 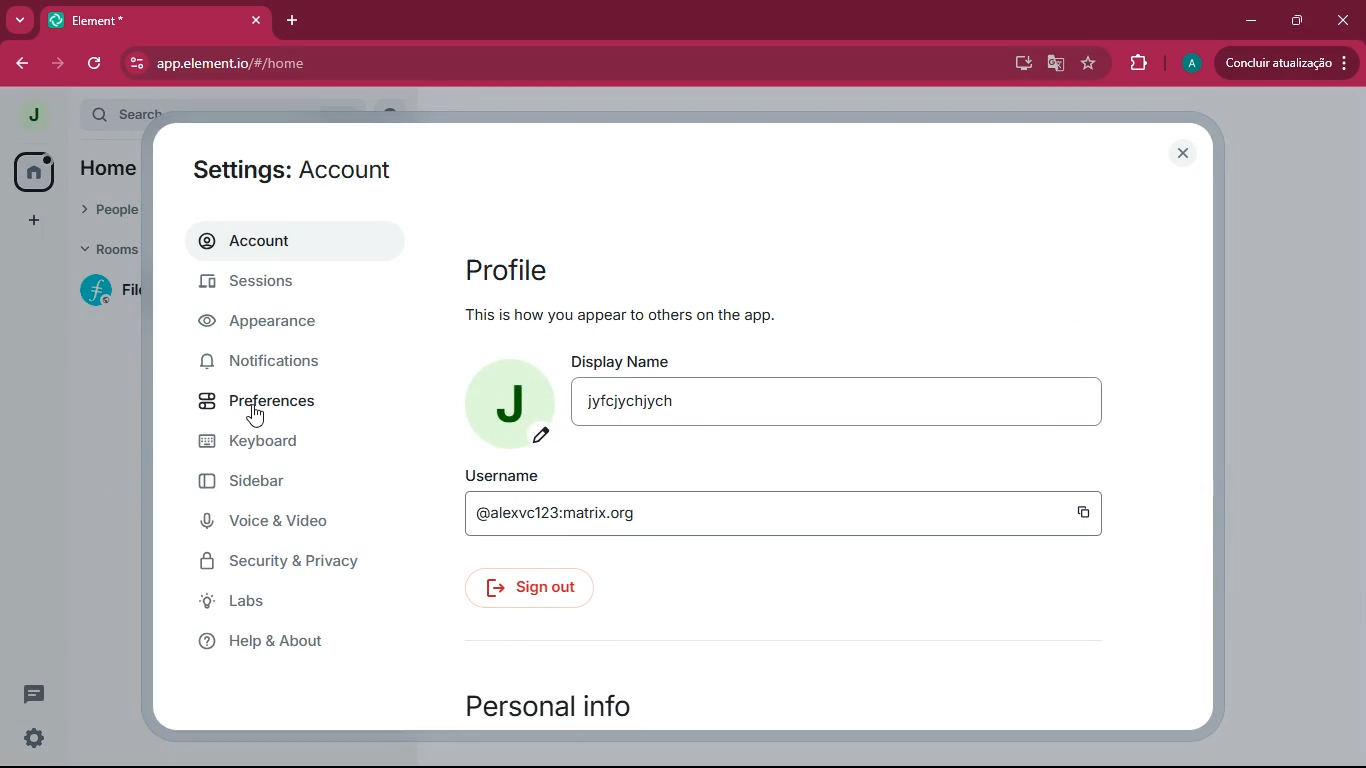 What do you see at coordinates (511, 404) in the screenshot?
I see `profile picture` at bounding box center [511, 404].